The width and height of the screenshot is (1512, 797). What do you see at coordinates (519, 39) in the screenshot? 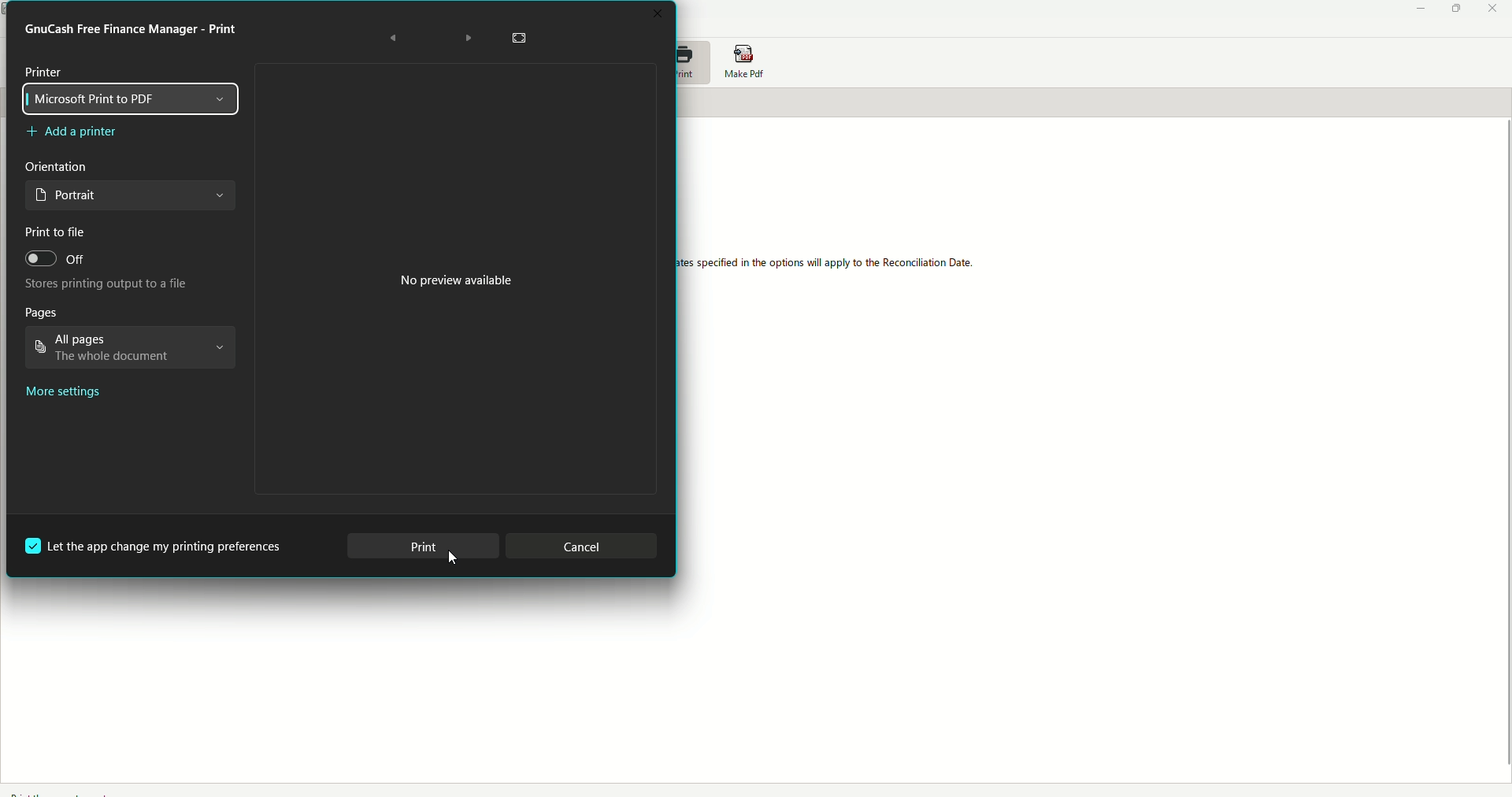
I see `Fullscreen` at bounding box center [519, 39].